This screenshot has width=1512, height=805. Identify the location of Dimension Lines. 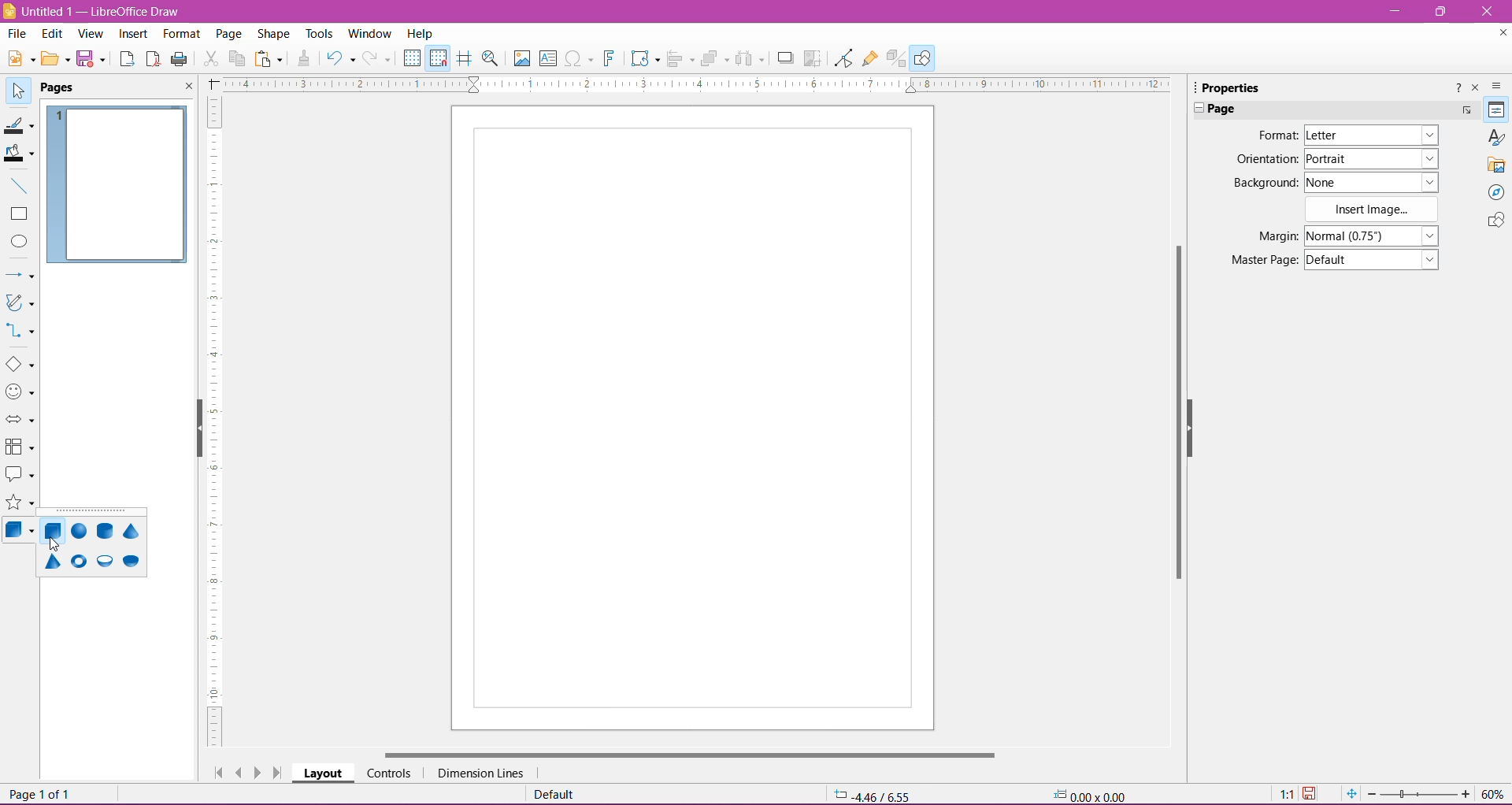
(482, 773).